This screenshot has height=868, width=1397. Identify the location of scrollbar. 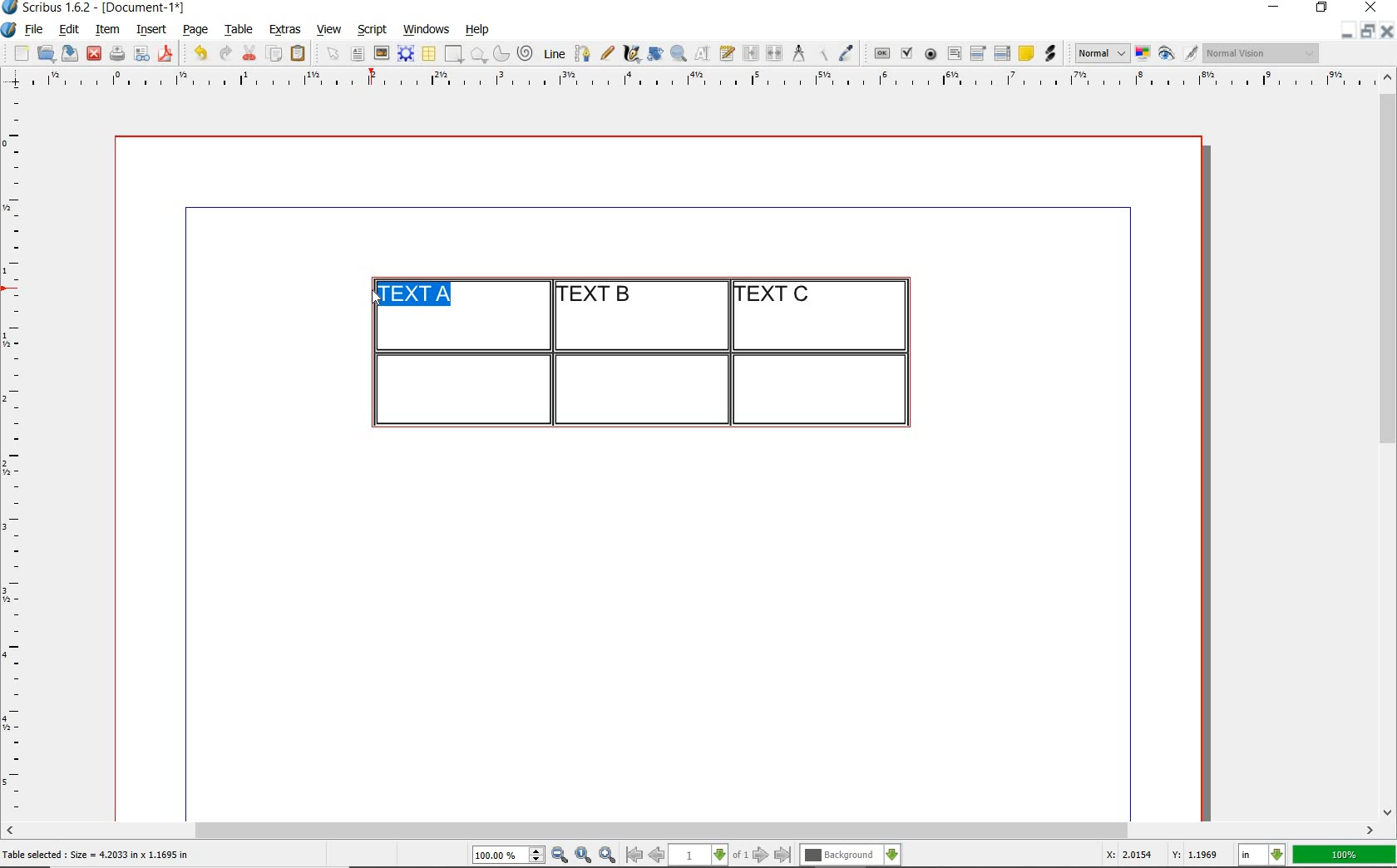
(690, 832).